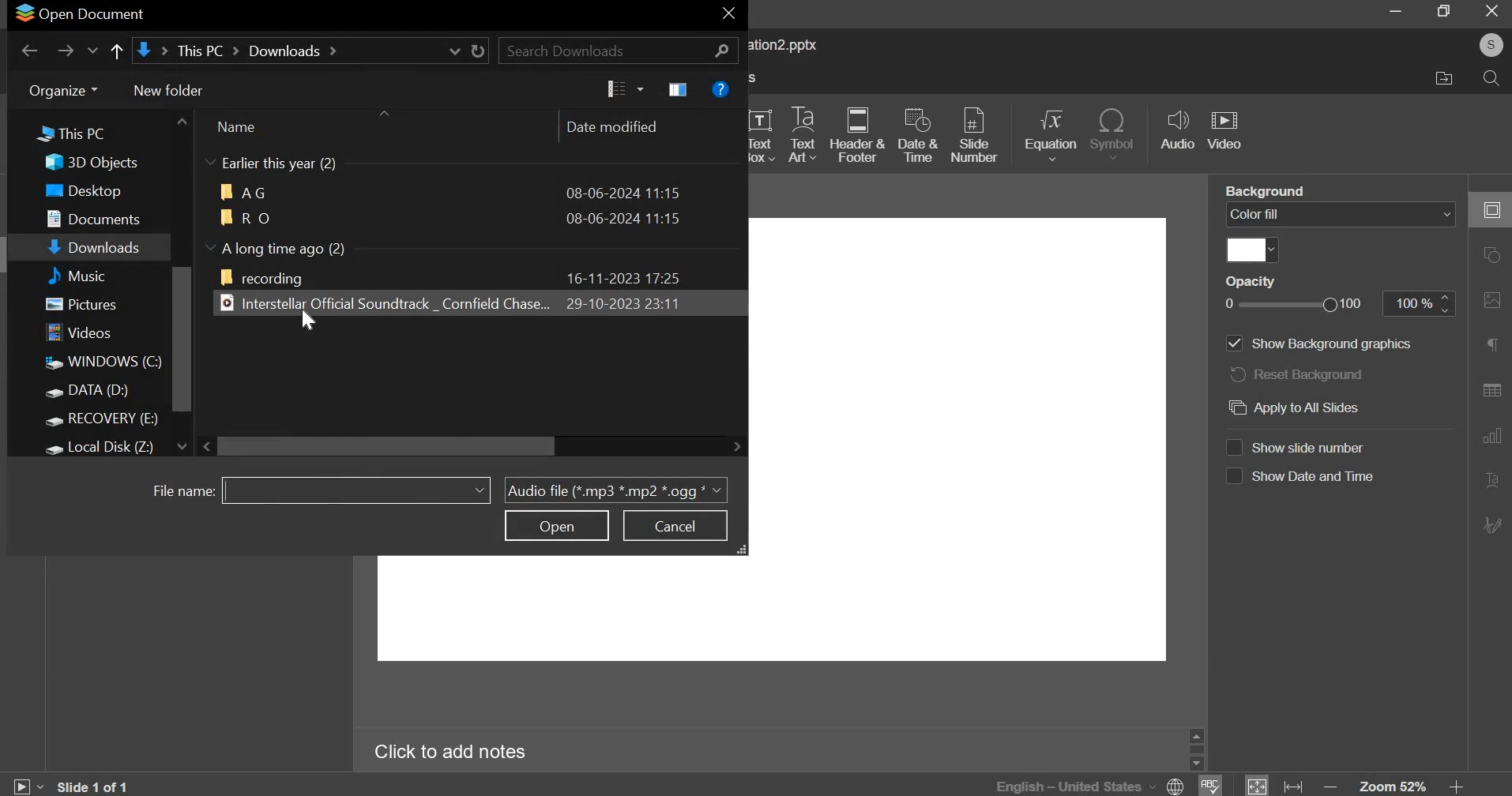 The width and height of the screenshot is (1512, 796). Describe the element at coordinates (1250, 282) in the screenshot. I see `opacity` at that location.